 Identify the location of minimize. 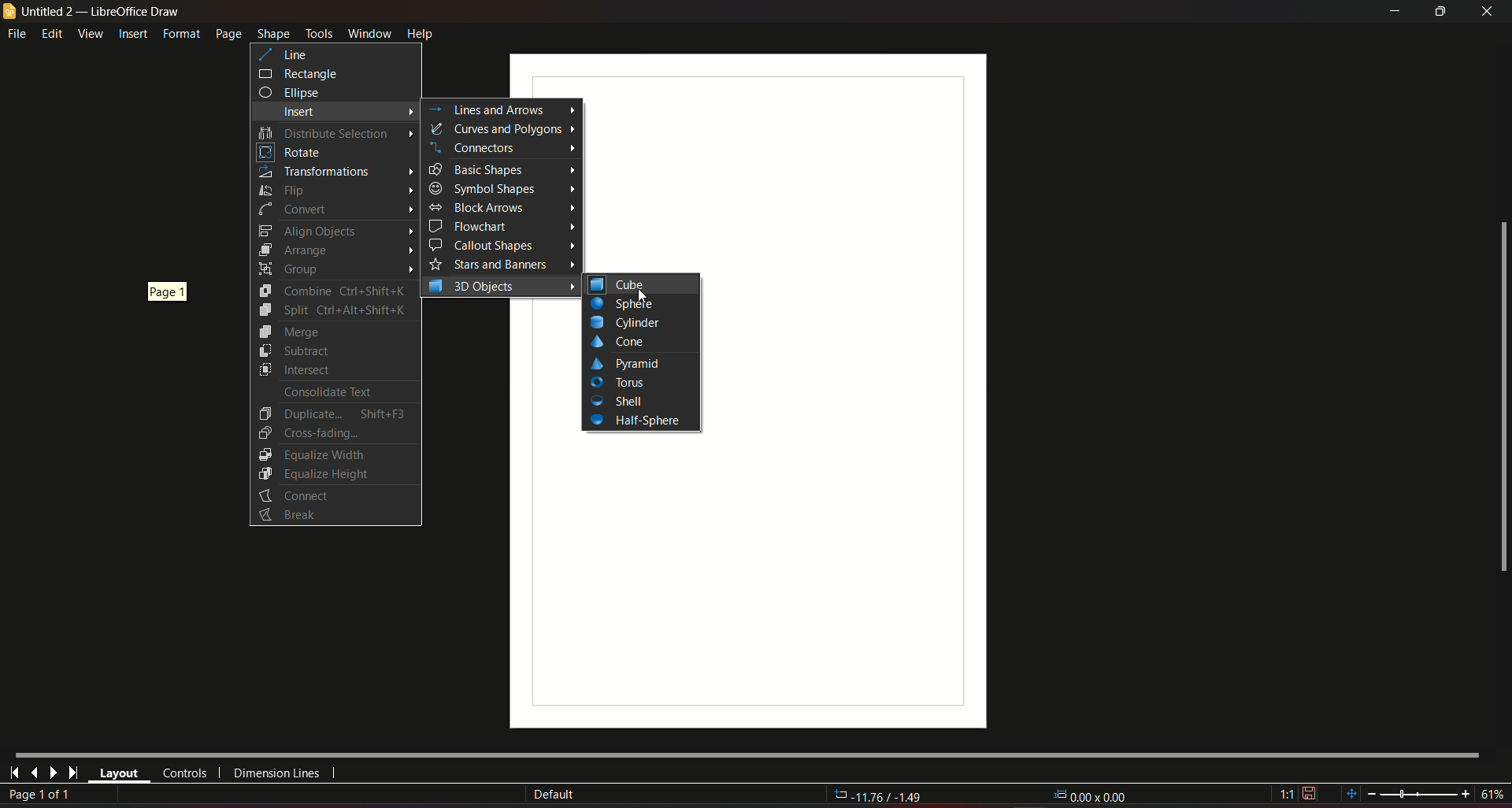
(1392, 12).